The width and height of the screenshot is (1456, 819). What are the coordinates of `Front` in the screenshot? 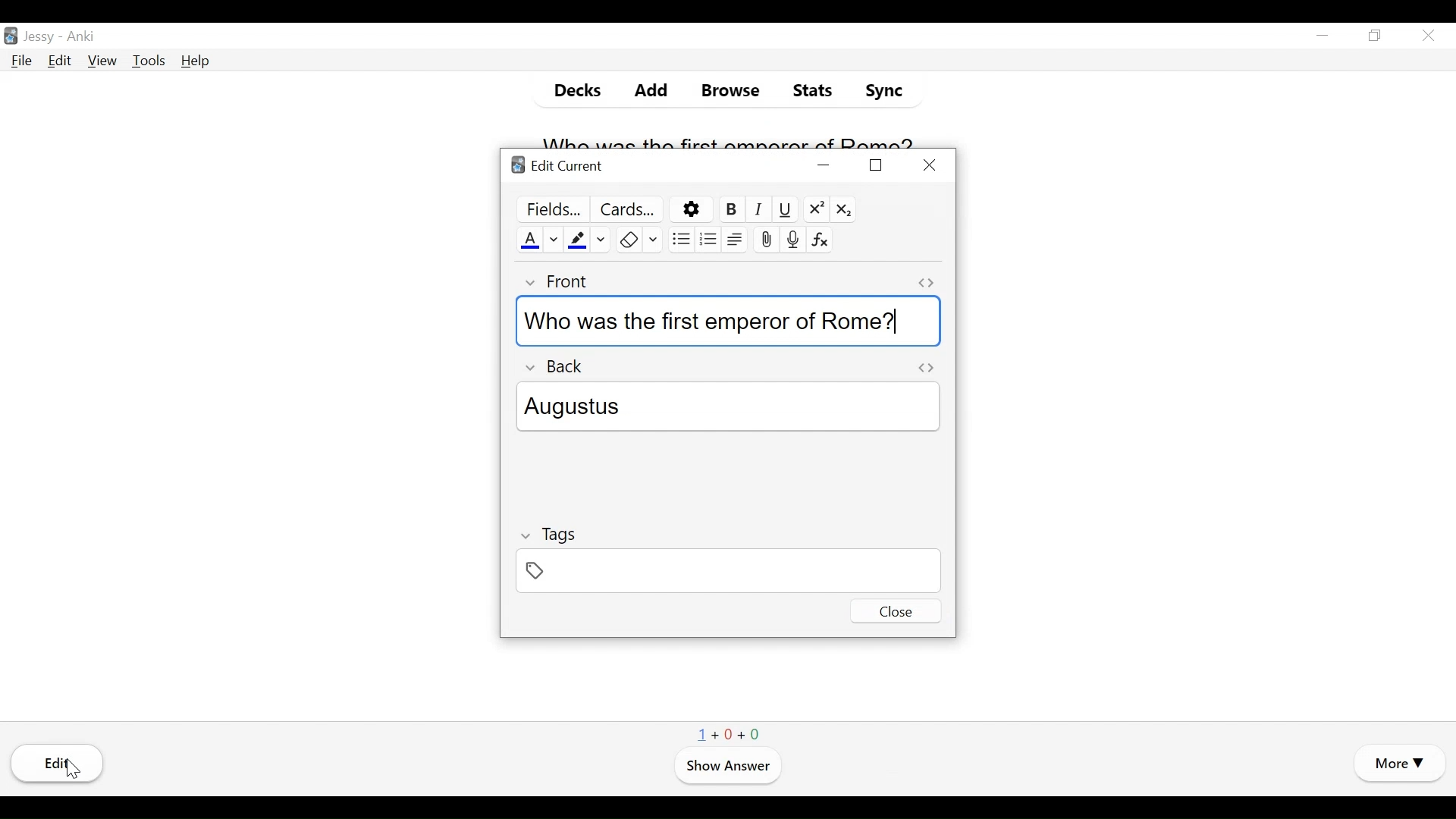 It's located at (554, 282).